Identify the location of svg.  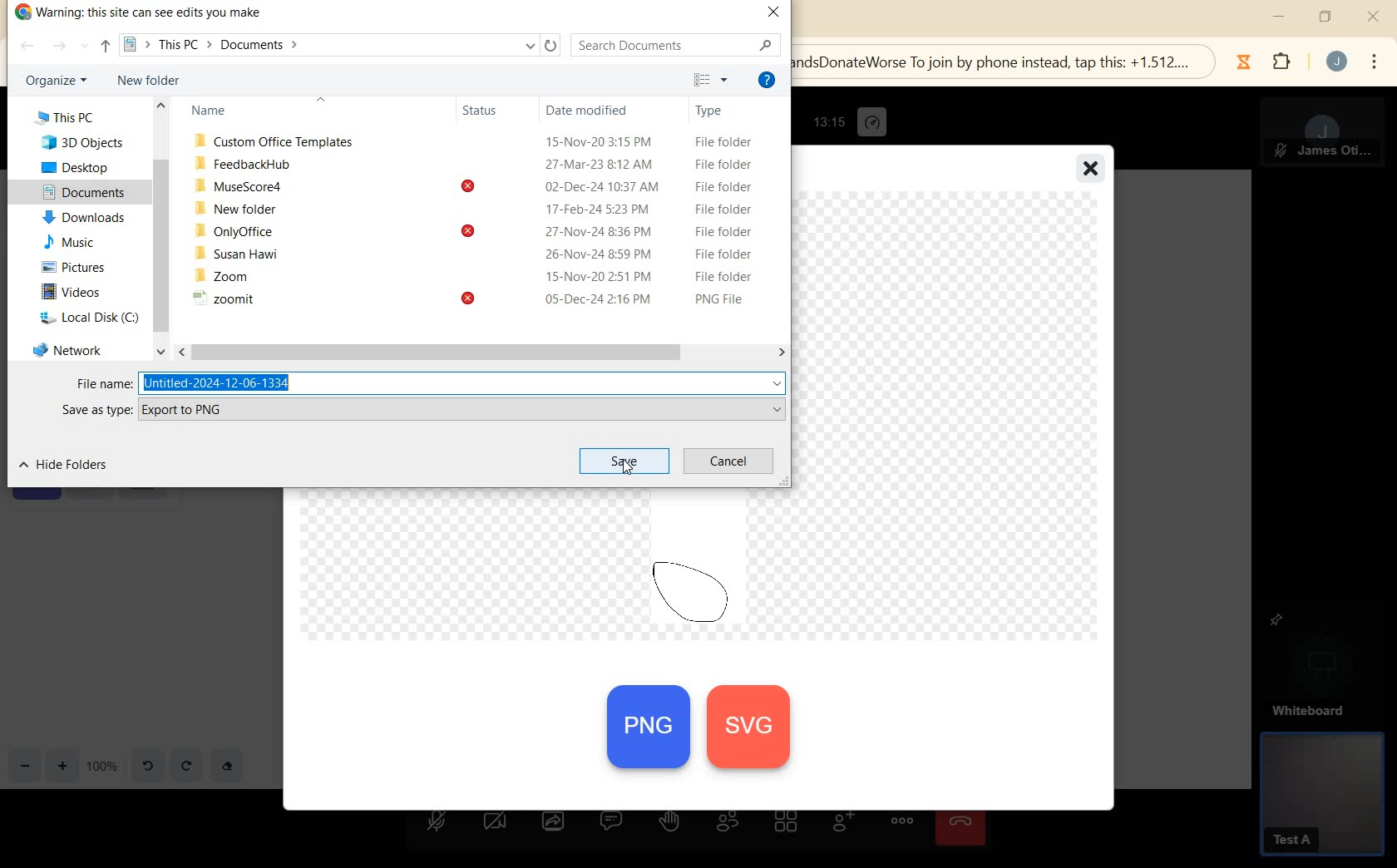
(748, 732).